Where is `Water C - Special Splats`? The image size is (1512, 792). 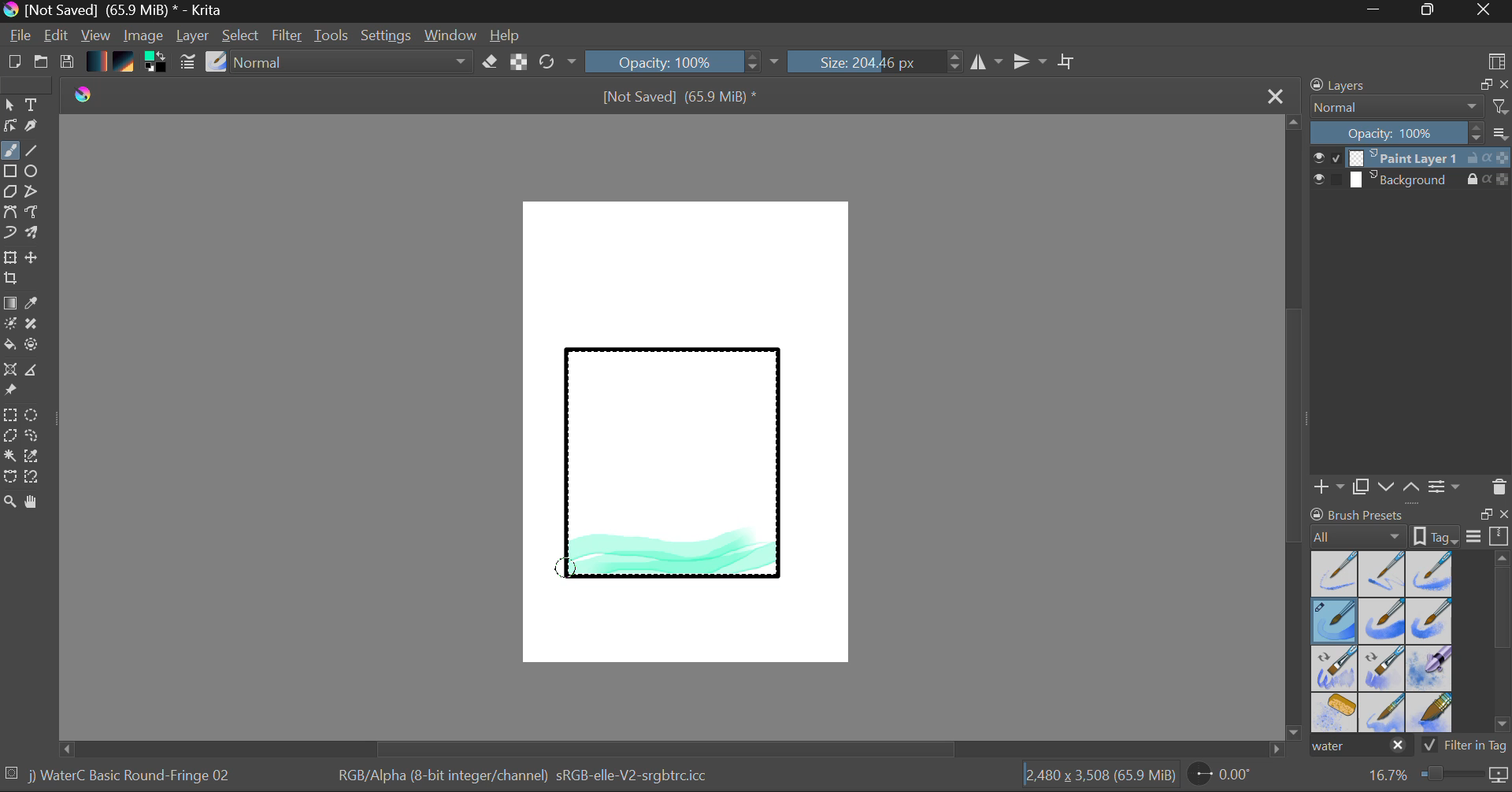
Water C - Special Splats is located at coordinates (1336, 712).